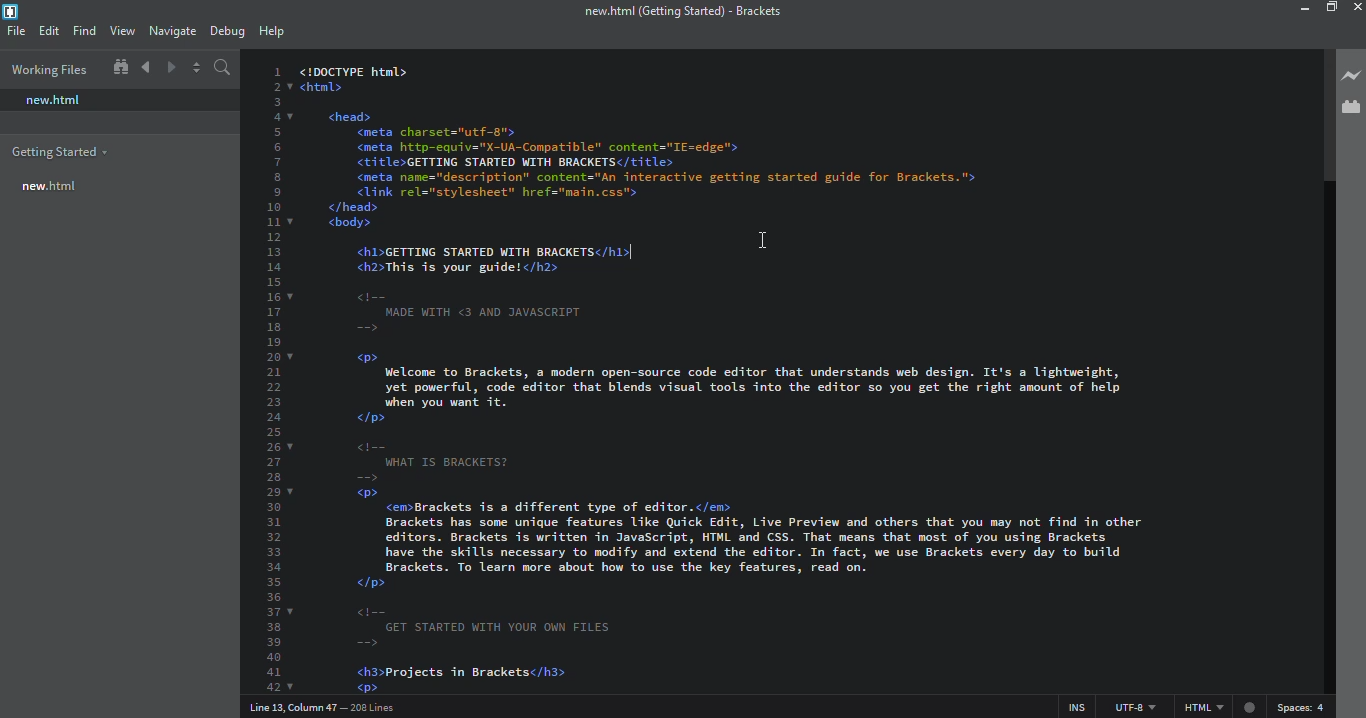 Image resolution: width=1366 pixels, height=718 pixels. Describe the element at coordinates (726, 146) in the screenshot. I see `test code` at that location.